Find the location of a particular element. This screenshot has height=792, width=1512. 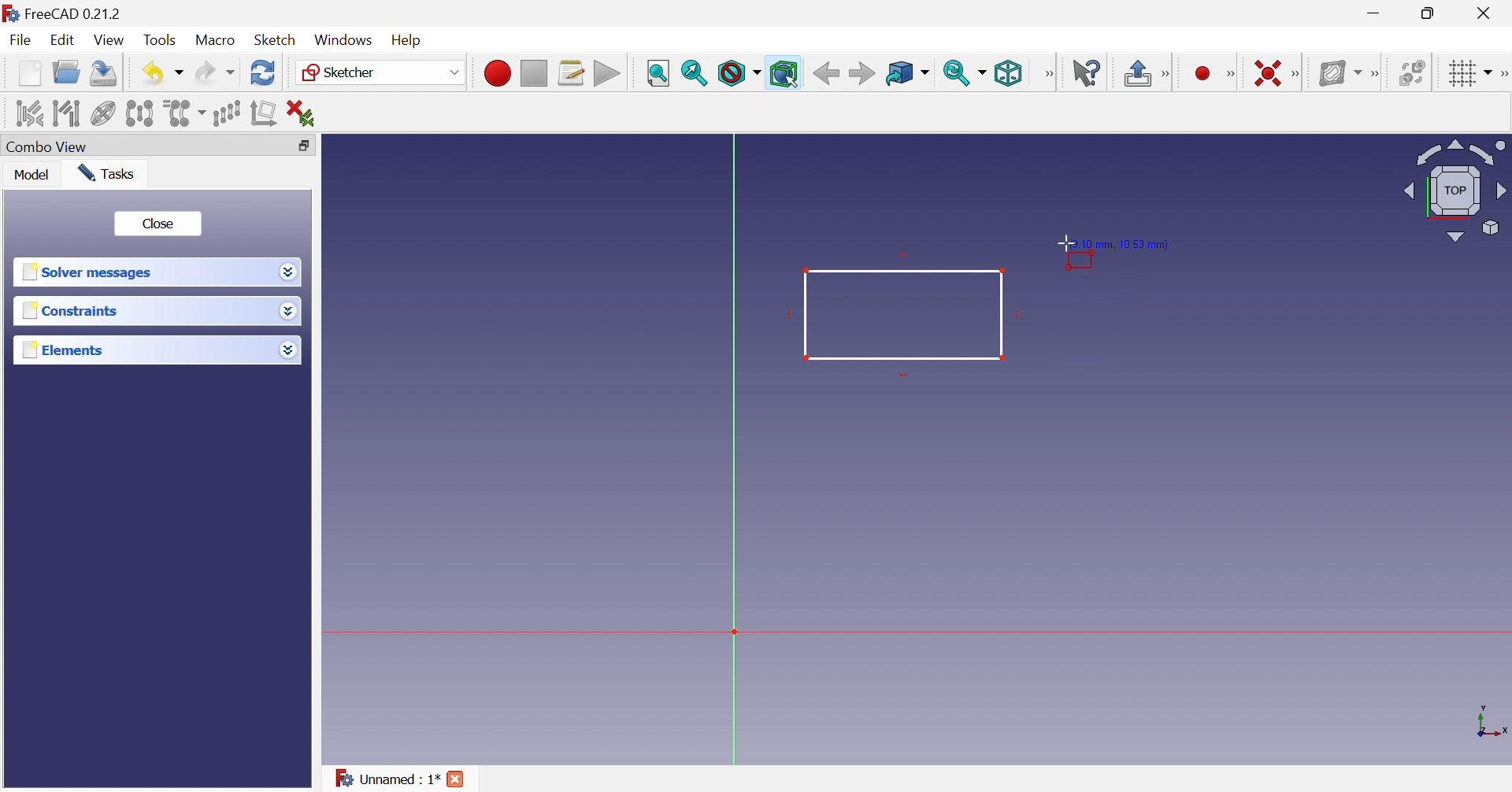

Sketcher geometries is located at coordinates (1233, 75).